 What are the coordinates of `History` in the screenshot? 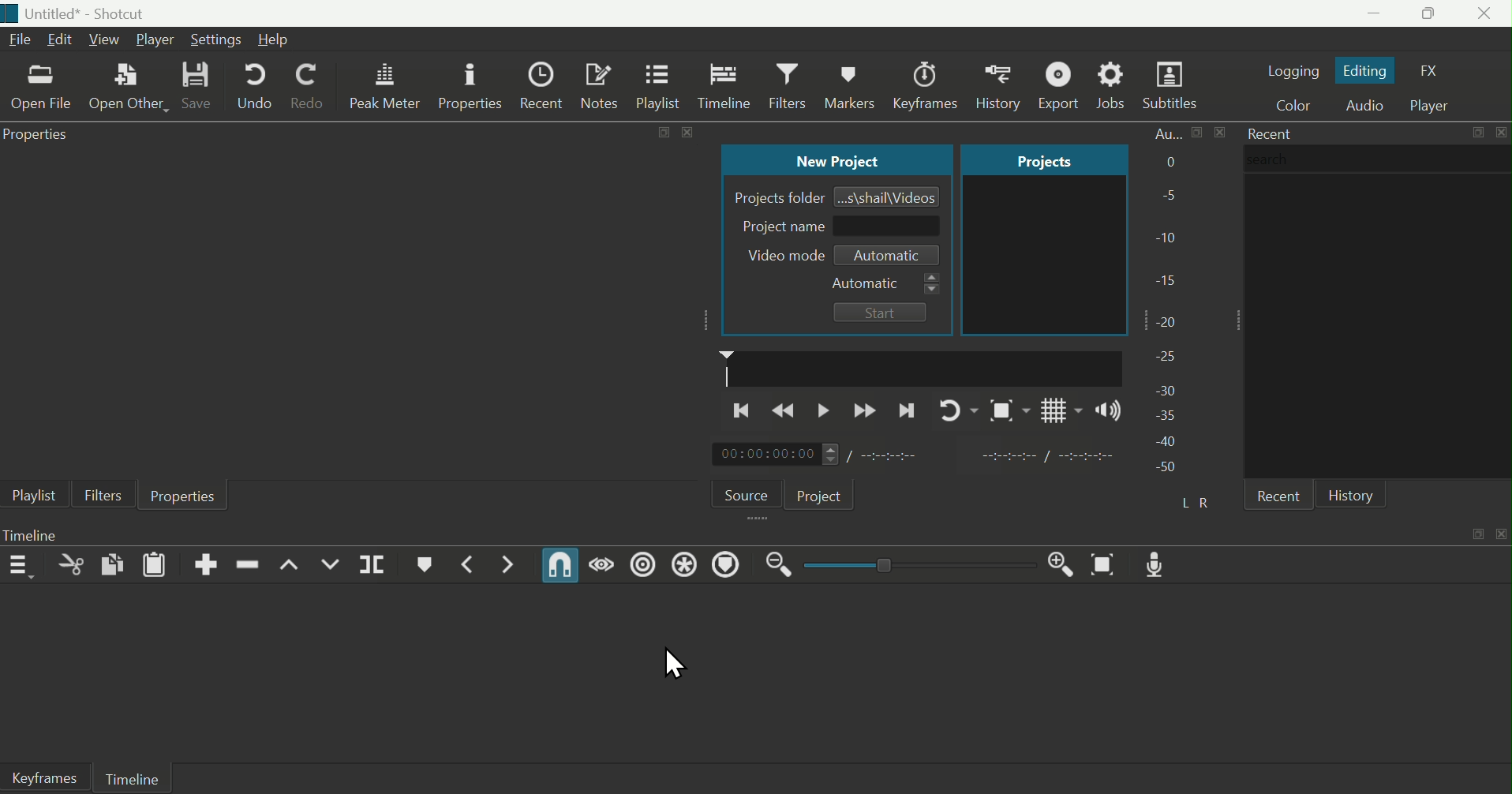 It's located at (852, 83).